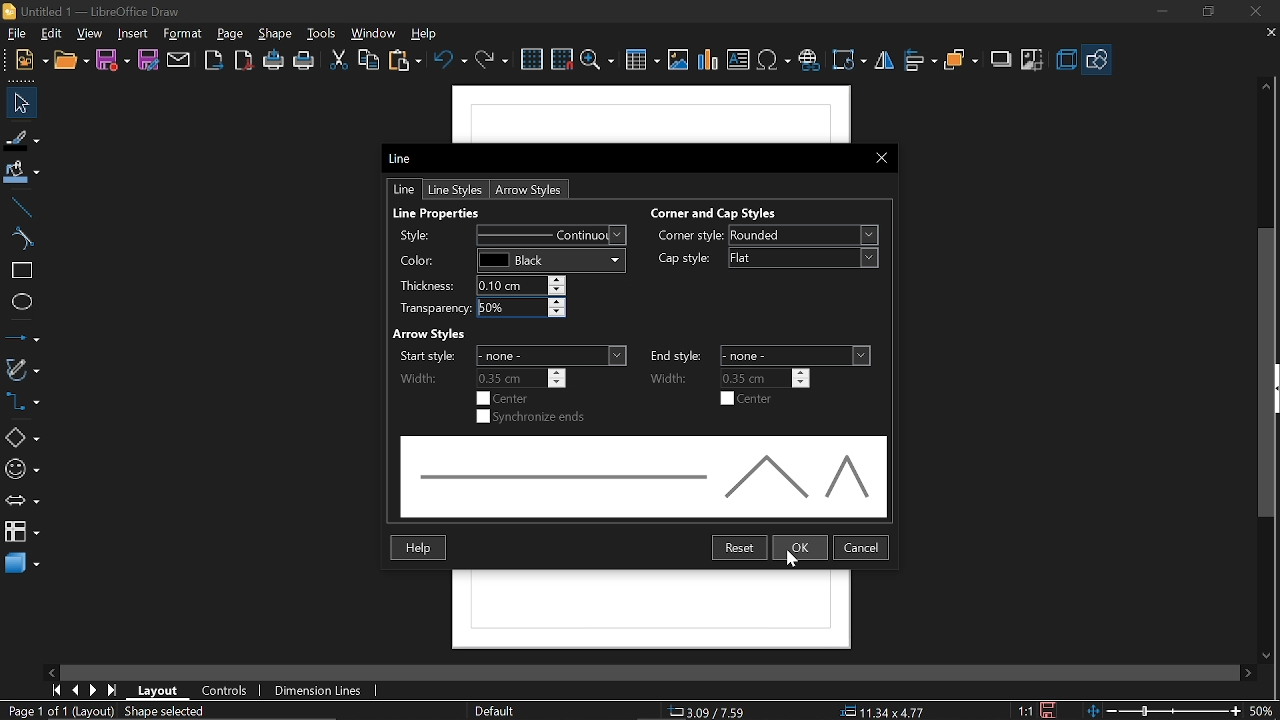 The image size is (1280, 720). I want to click on Cursor, so click(794, 563).